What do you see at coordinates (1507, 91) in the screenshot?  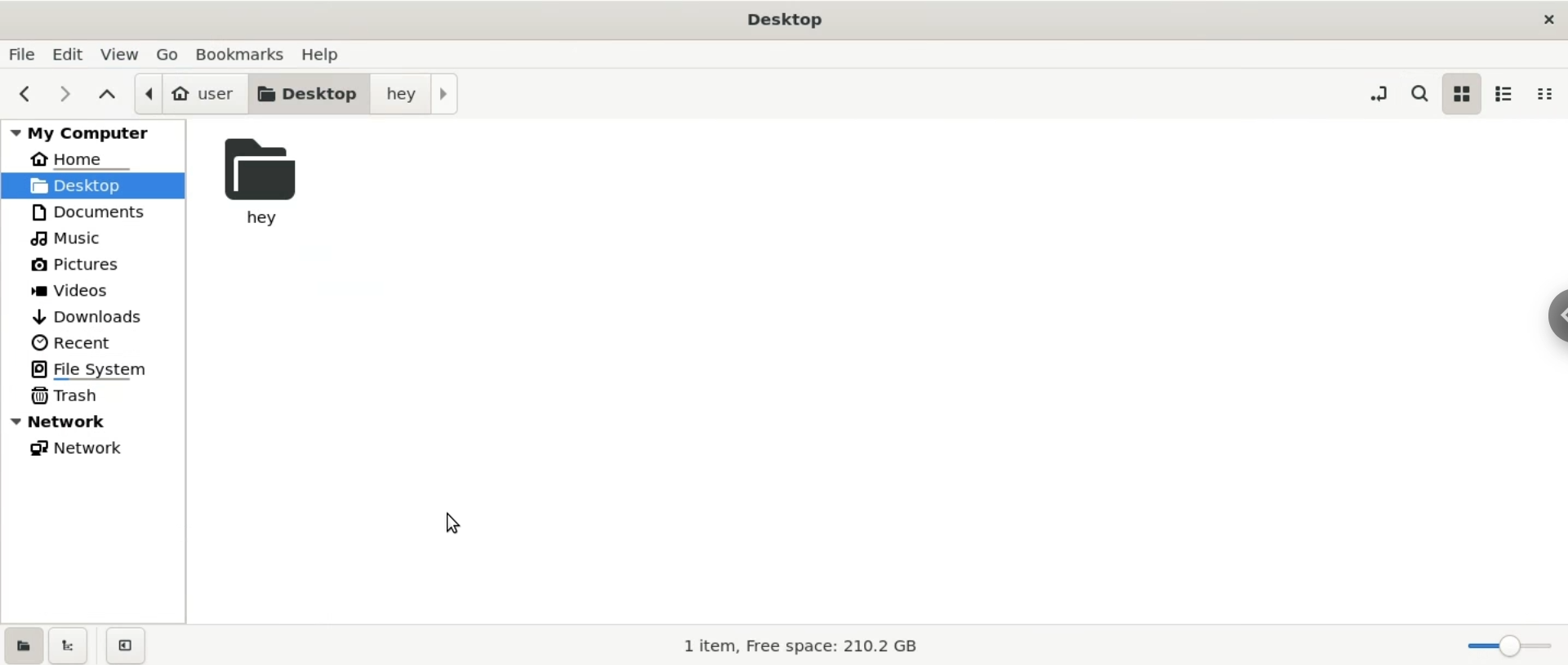 I see `list view` at bounding box center [1507, 91].